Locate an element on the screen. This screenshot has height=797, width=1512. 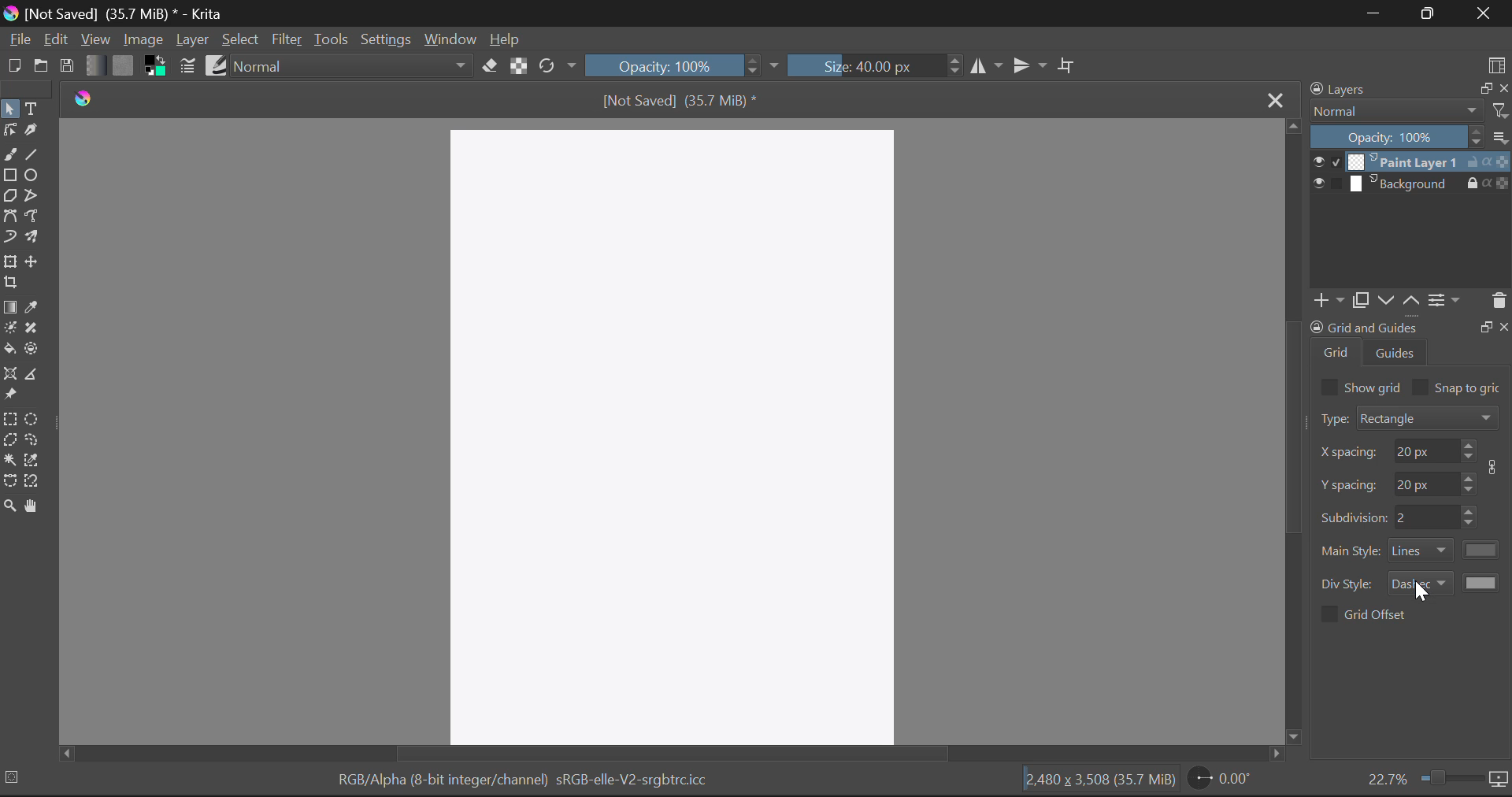
Move Layer is located at coordinates (34, 261).